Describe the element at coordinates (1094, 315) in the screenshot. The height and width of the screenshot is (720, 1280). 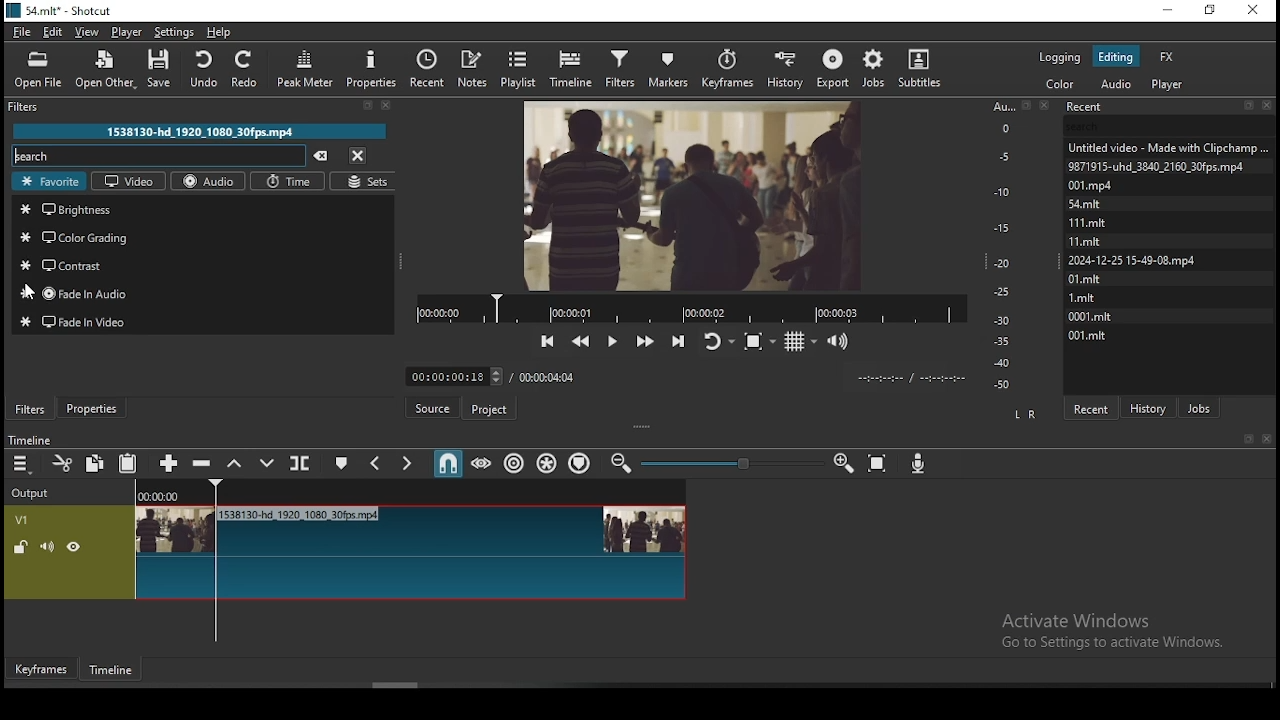
I see `0001.mit` at that location.